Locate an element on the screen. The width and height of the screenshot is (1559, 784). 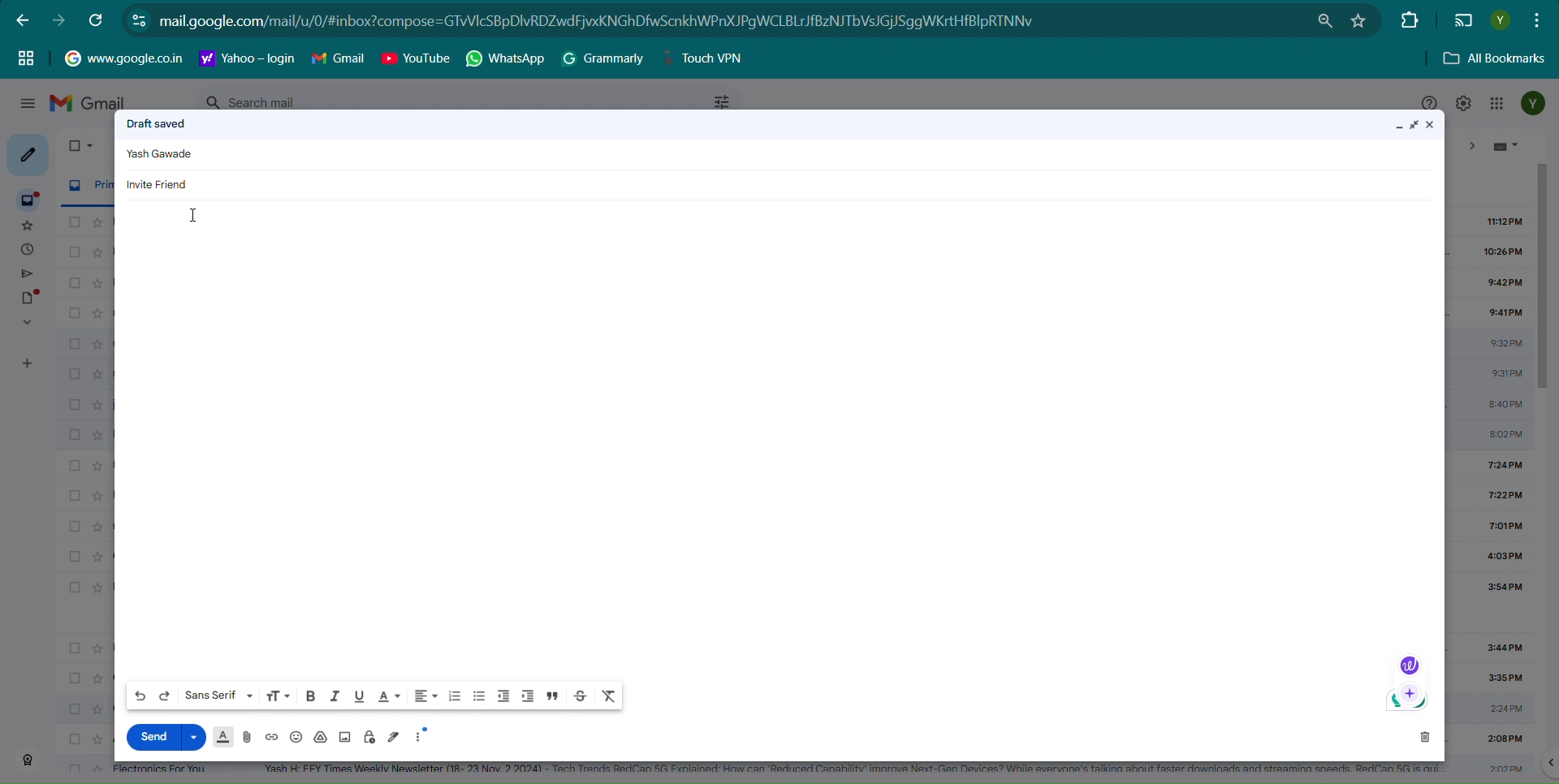
Text is located at coordinates (163, 155).